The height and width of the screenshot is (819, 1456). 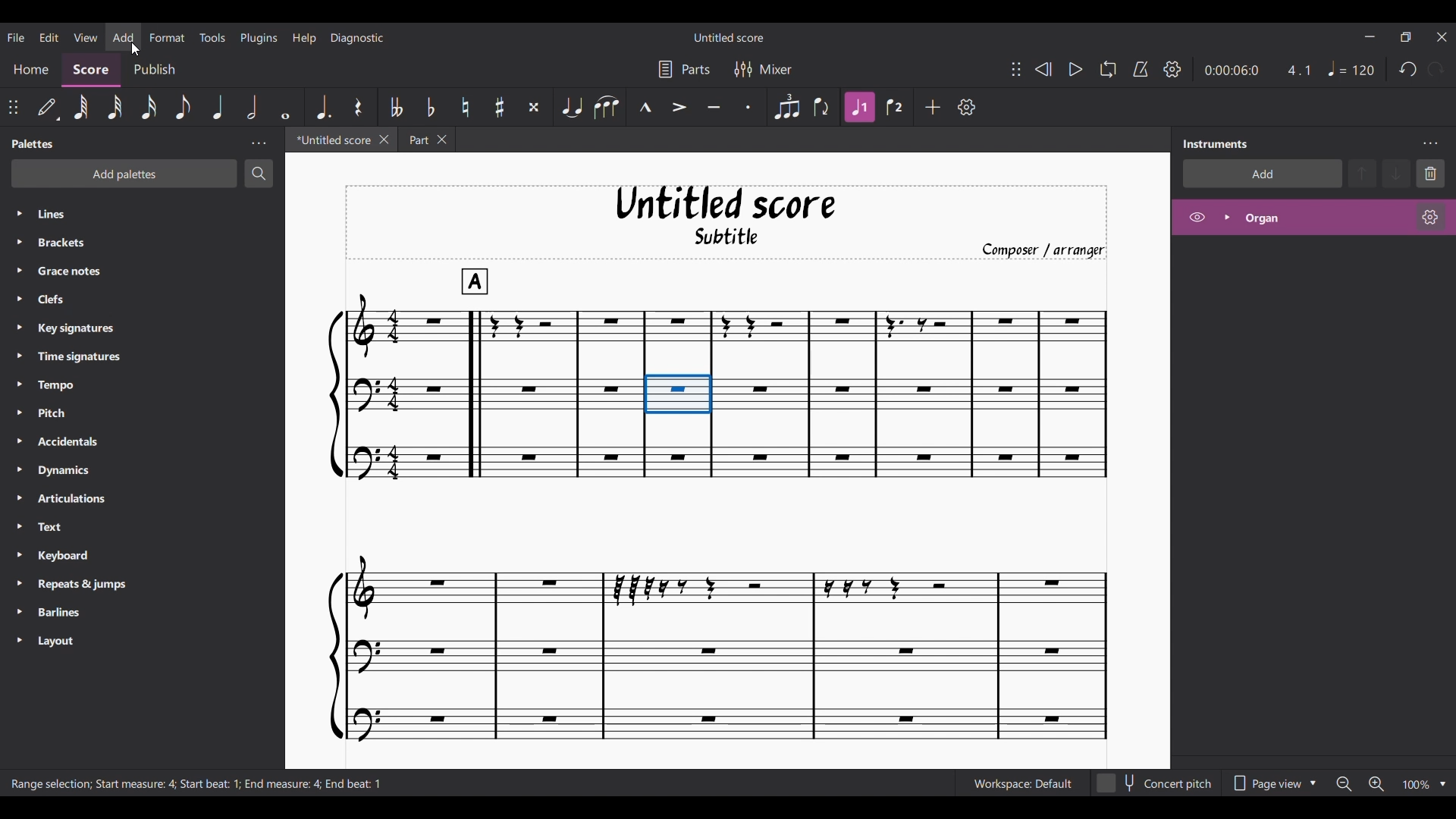 I want to click on Show interface in a smaller tab, so click(x=1405, y=36).